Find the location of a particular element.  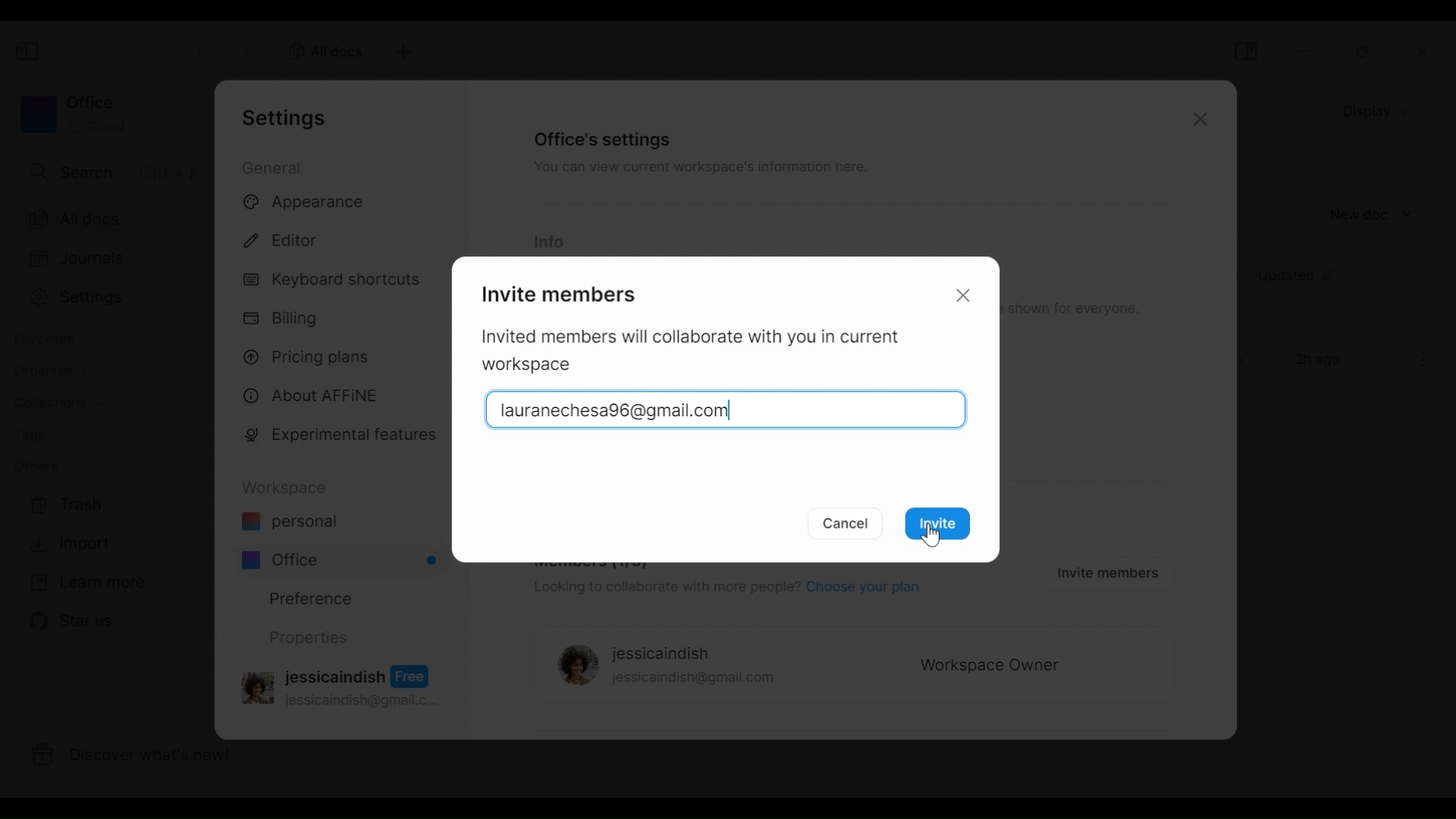

Add is located at coordinates (401, 52).